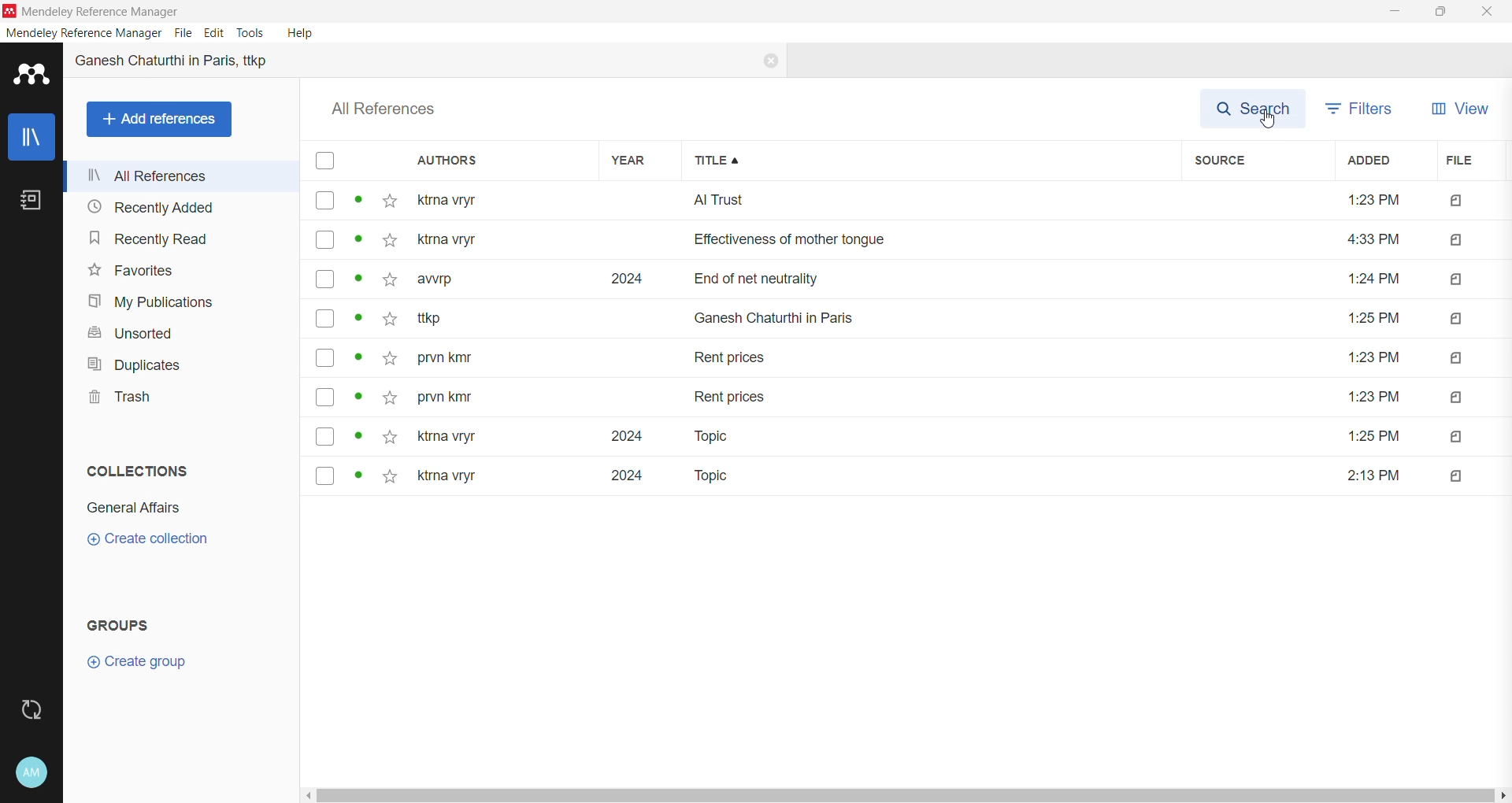 Image resolution: width=1512 pixels, height=803 pixels. I want to click on file type, so click(1458, 436).